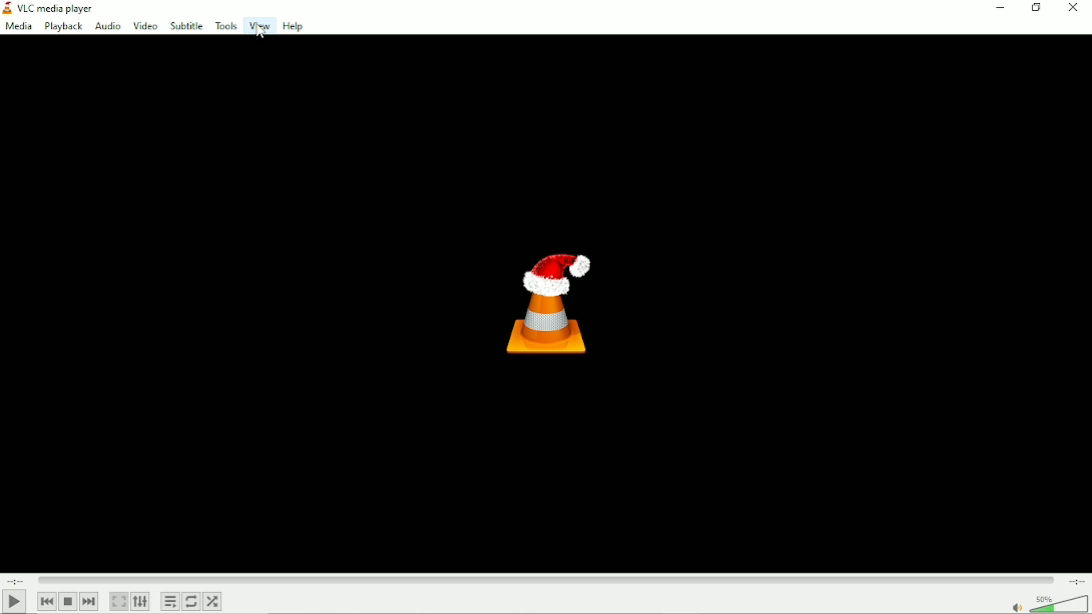  Describe the element at coordinates (107, 26) in the screenshot. I see `Audio` at that location.